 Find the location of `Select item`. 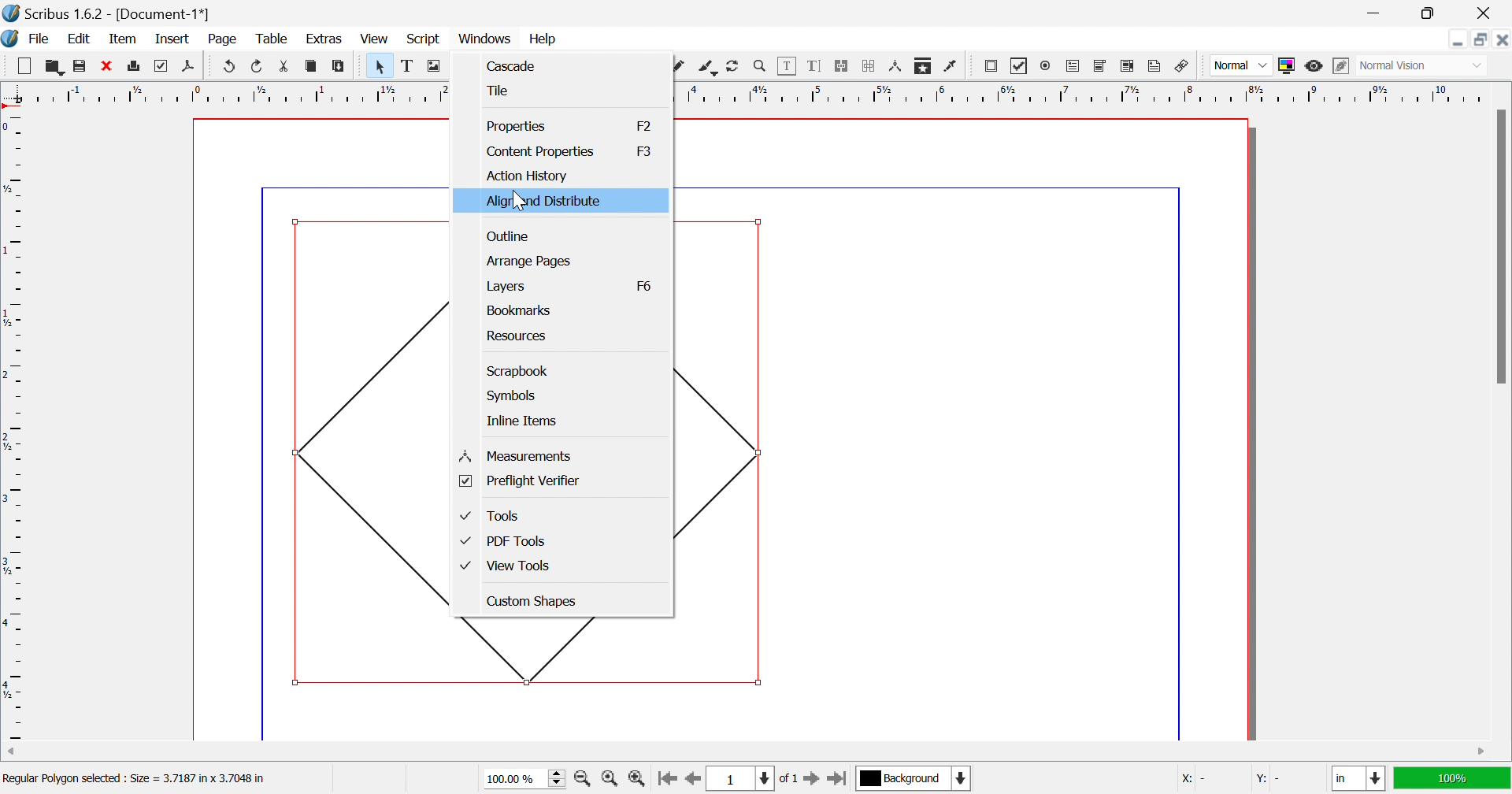

Select item is located at coordinates (383, 66).